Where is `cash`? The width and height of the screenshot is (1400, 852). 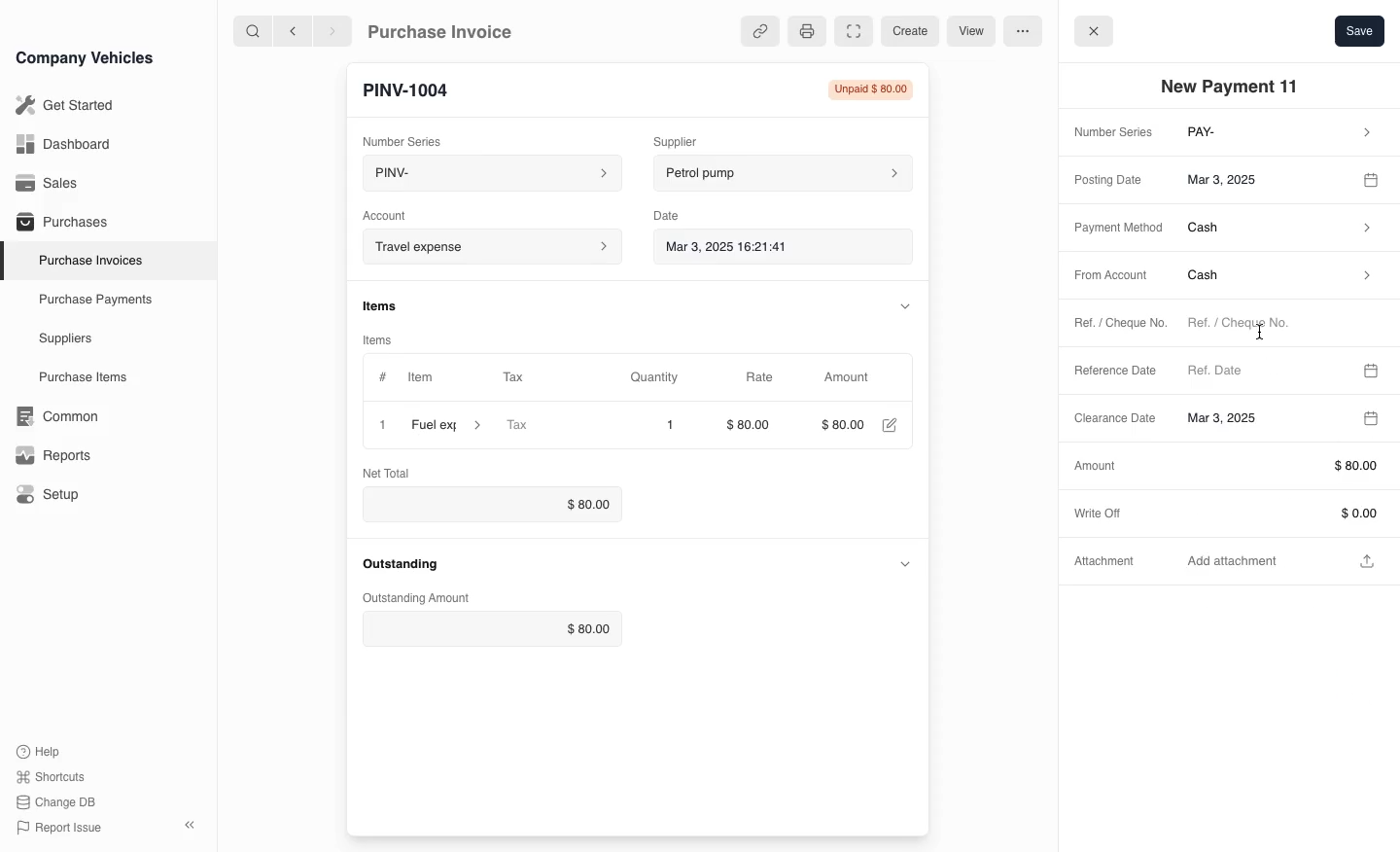 cash is located at coordinates (1277, 279).